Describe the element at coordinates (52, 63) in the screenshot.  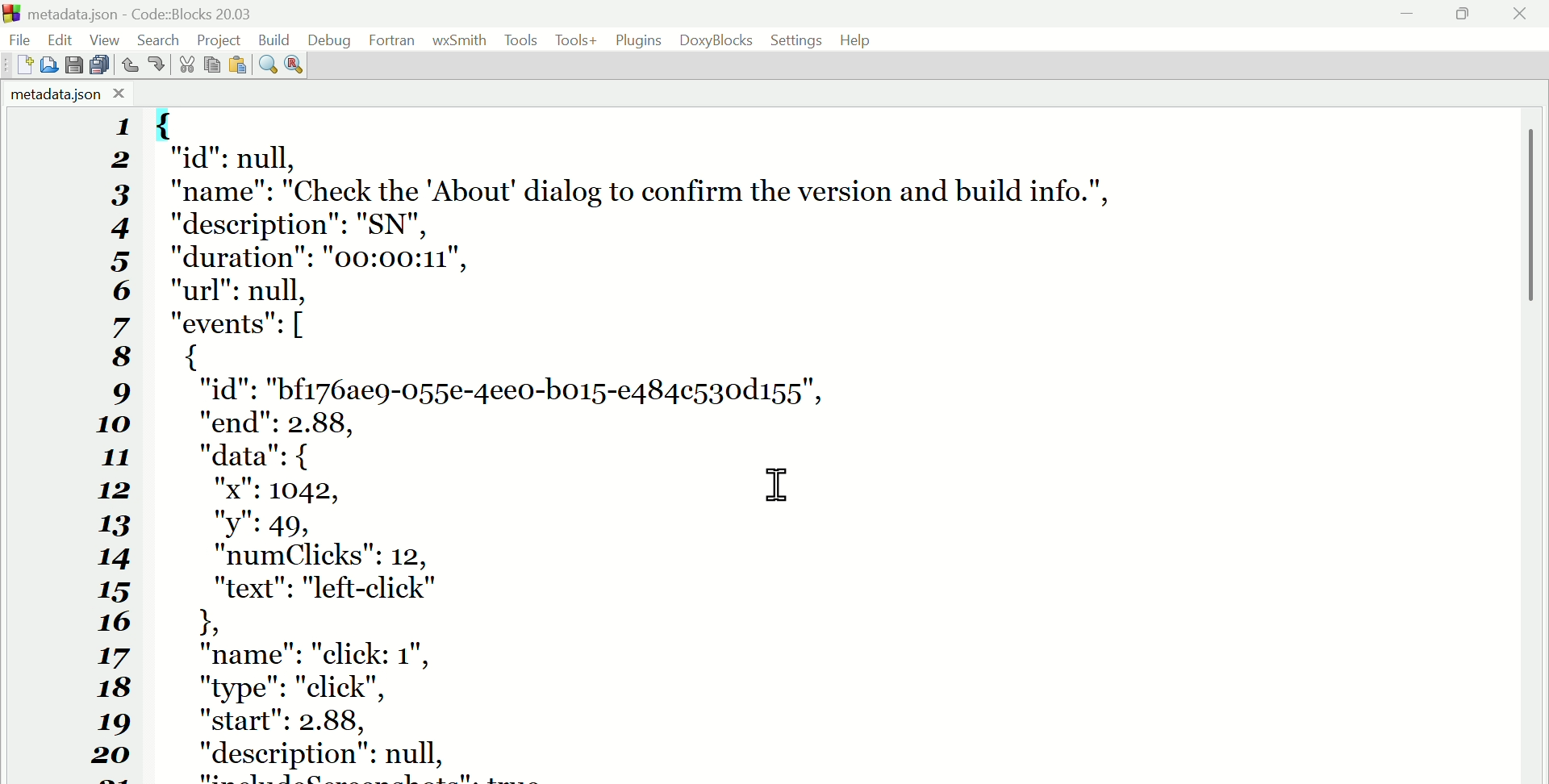
I see `Open` at that location.